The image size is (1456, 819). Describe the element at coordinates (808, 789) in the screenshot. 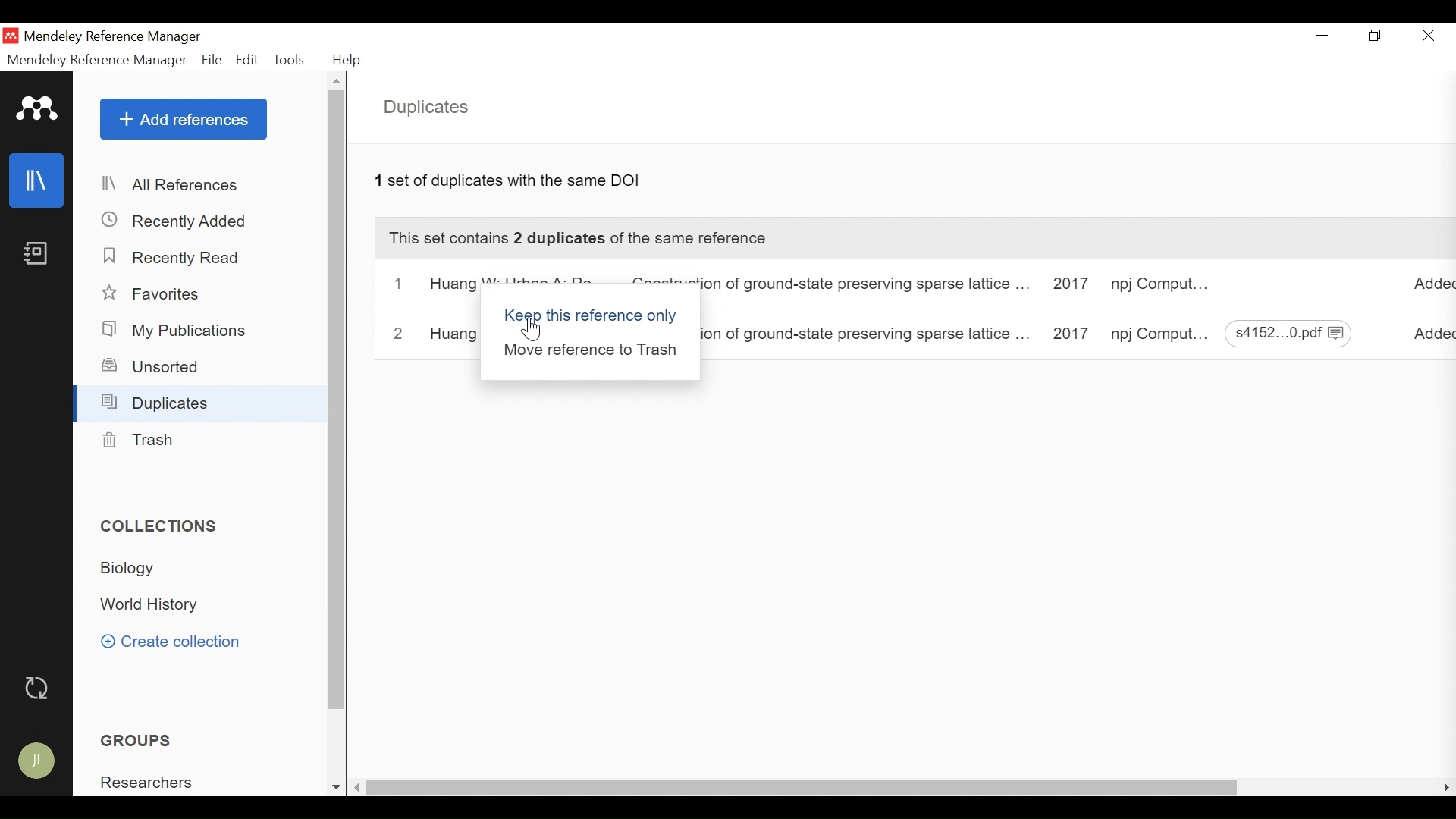

I see `horizontal Scroll bar` at that location.